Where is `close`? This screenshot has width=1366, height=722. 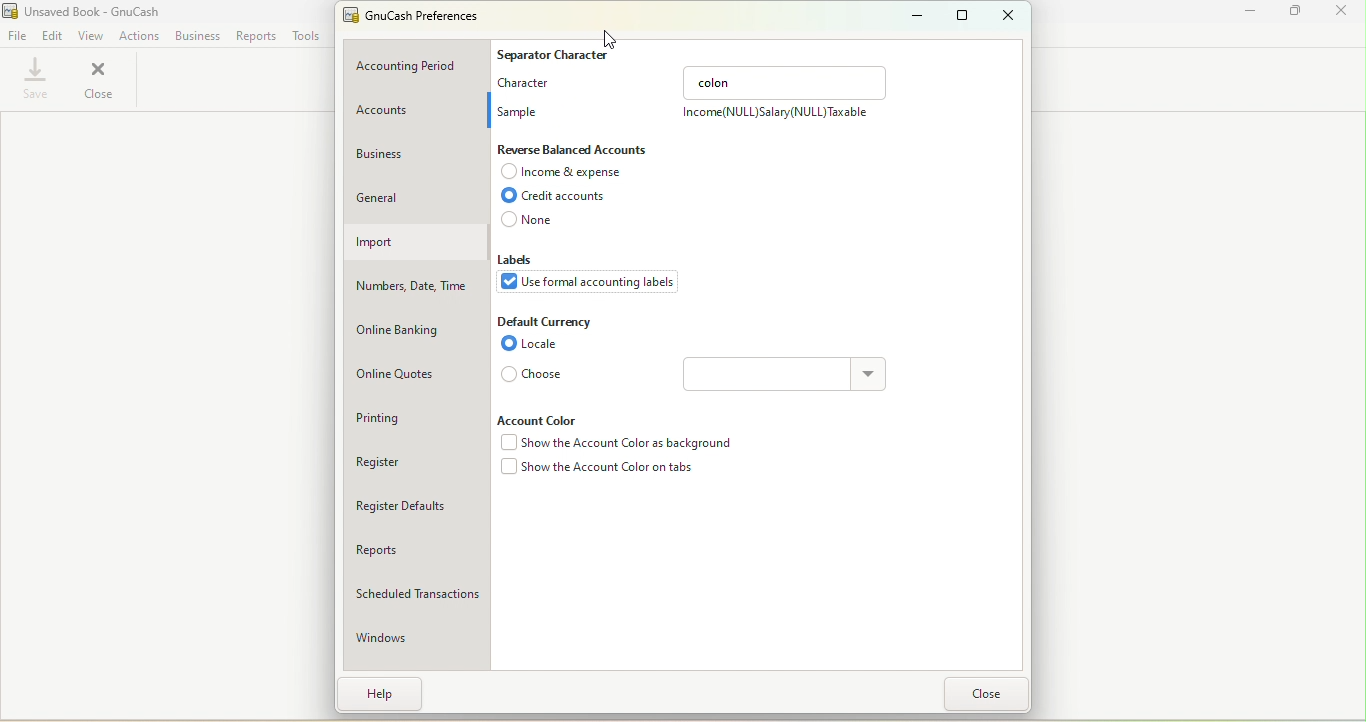
close is located at coordinates (1340, 11).